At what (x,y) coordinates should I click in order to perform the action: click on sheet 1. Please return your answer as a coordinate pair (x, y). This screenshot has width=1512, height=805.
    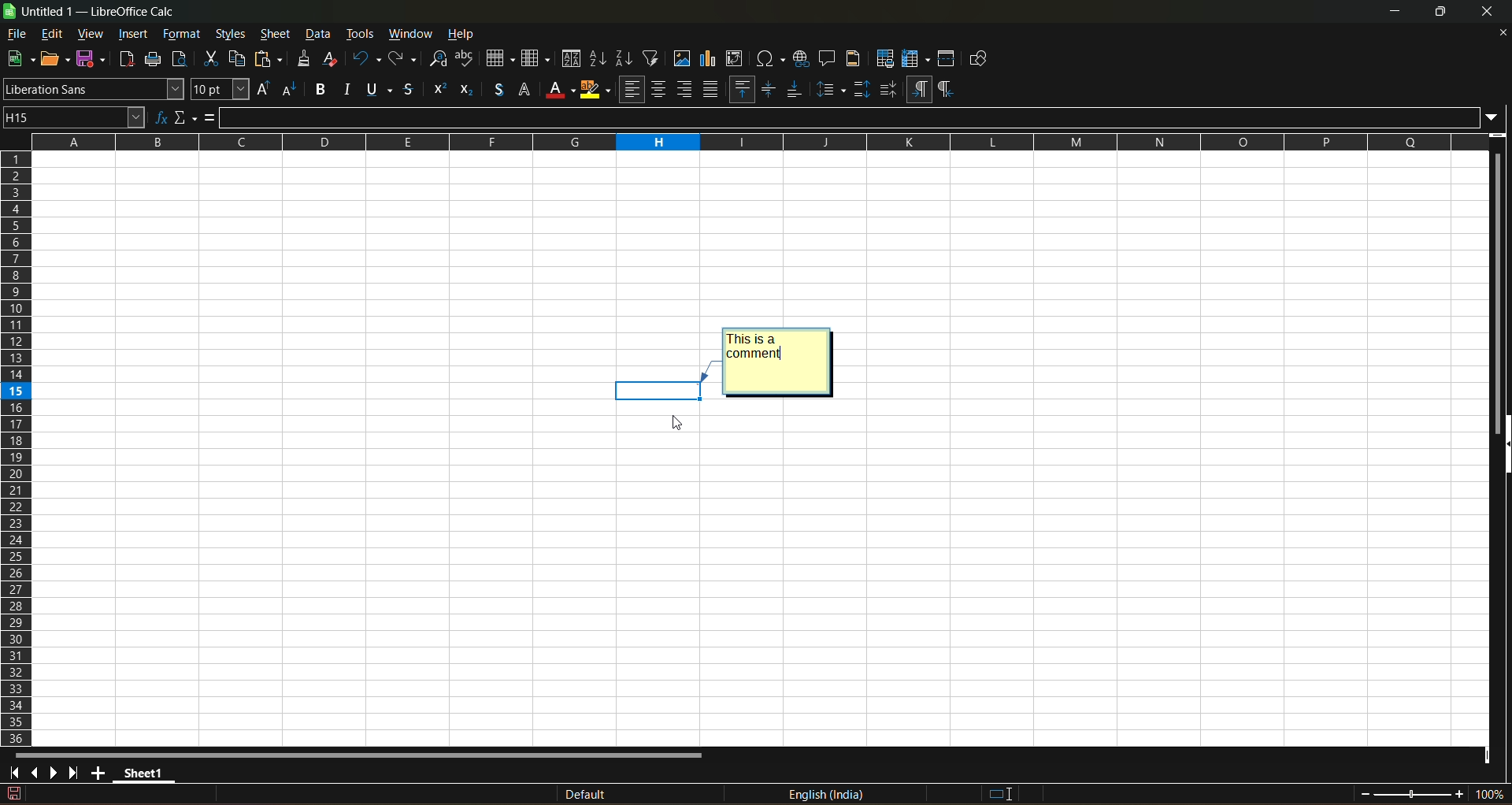
    Looking at the image, I should click on (149, 773).